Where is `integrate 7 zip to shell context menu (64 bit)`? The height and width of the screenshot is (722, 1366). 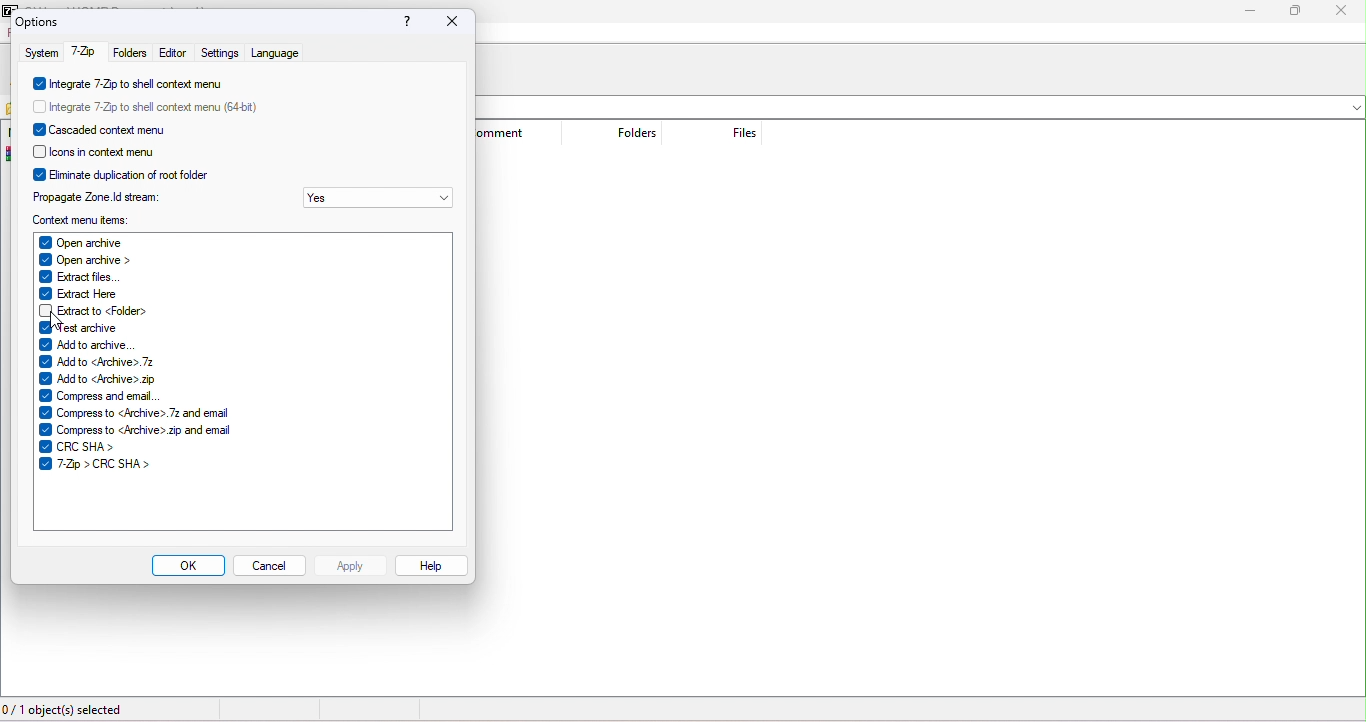
integrate 7 zip to shell context menu (64 bit) is located at coordinates (155, 104).